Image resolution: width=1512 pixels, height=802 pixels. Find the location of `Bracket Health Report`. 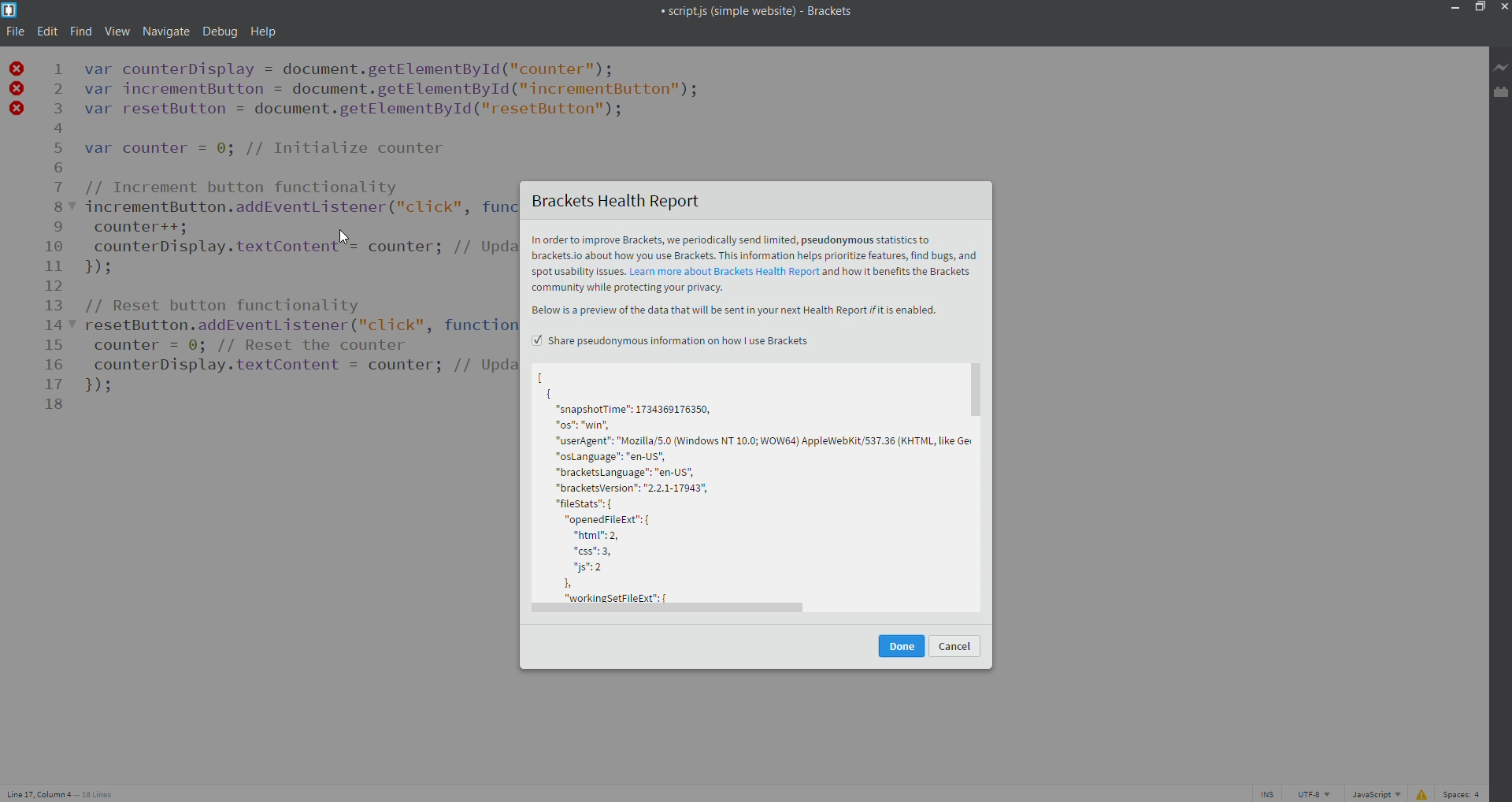

Bracket Health Report is located at coordinates (758, 201).